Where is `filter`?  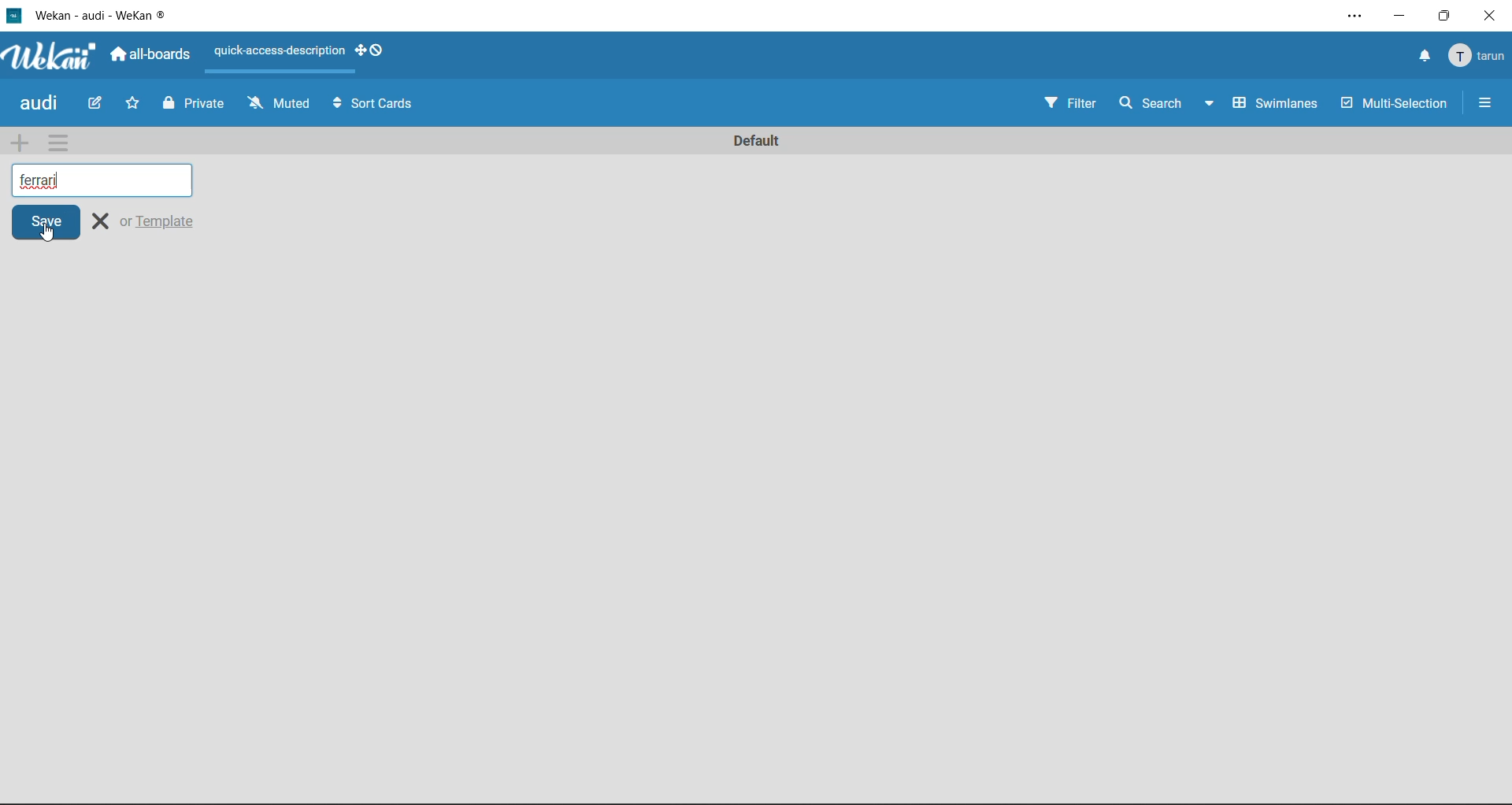 filter is located at coordinates (1073, 105).